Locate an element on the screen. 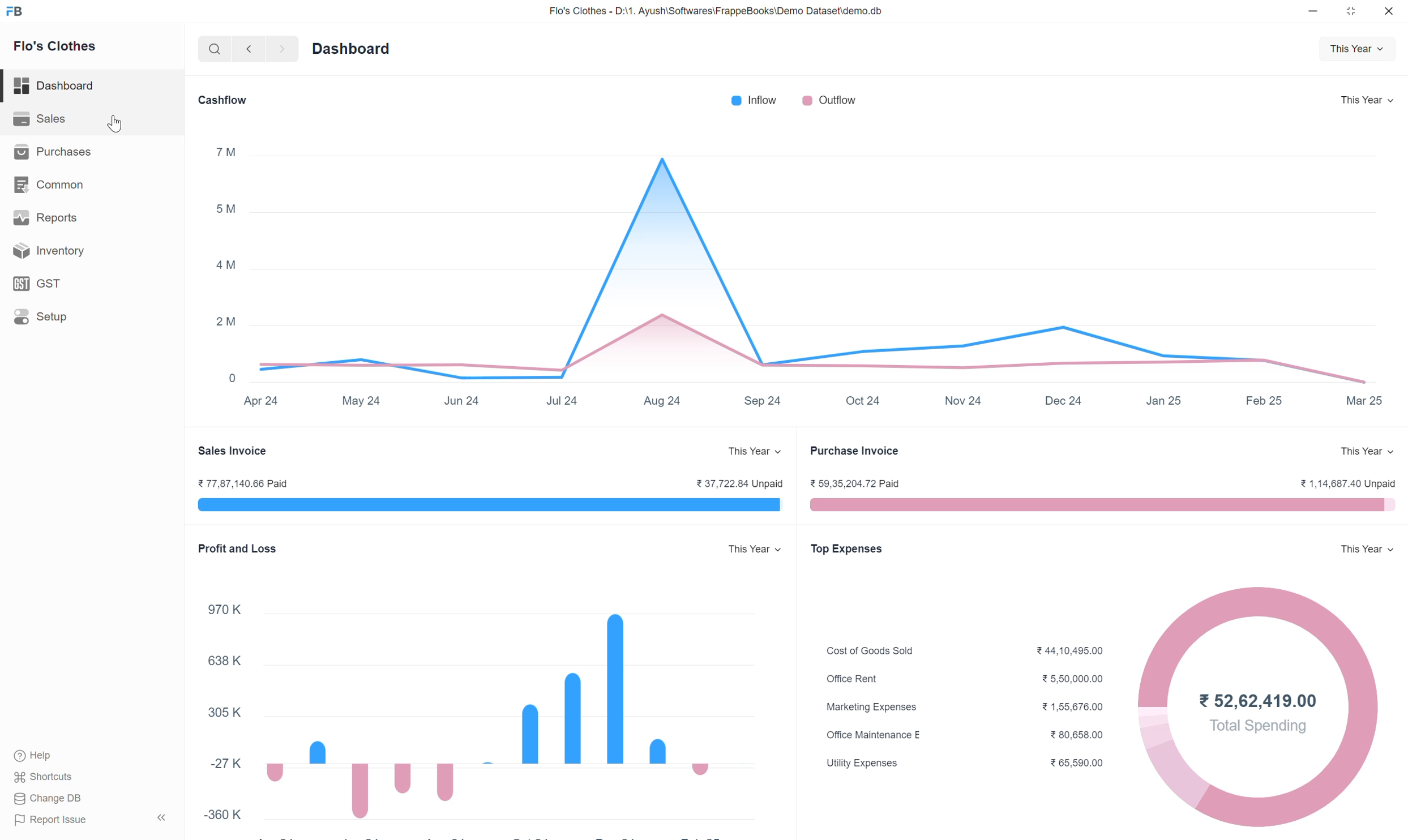 The width and height of the screenshot is (1408, 840). This Year v is located at coordinates (1362, 549).